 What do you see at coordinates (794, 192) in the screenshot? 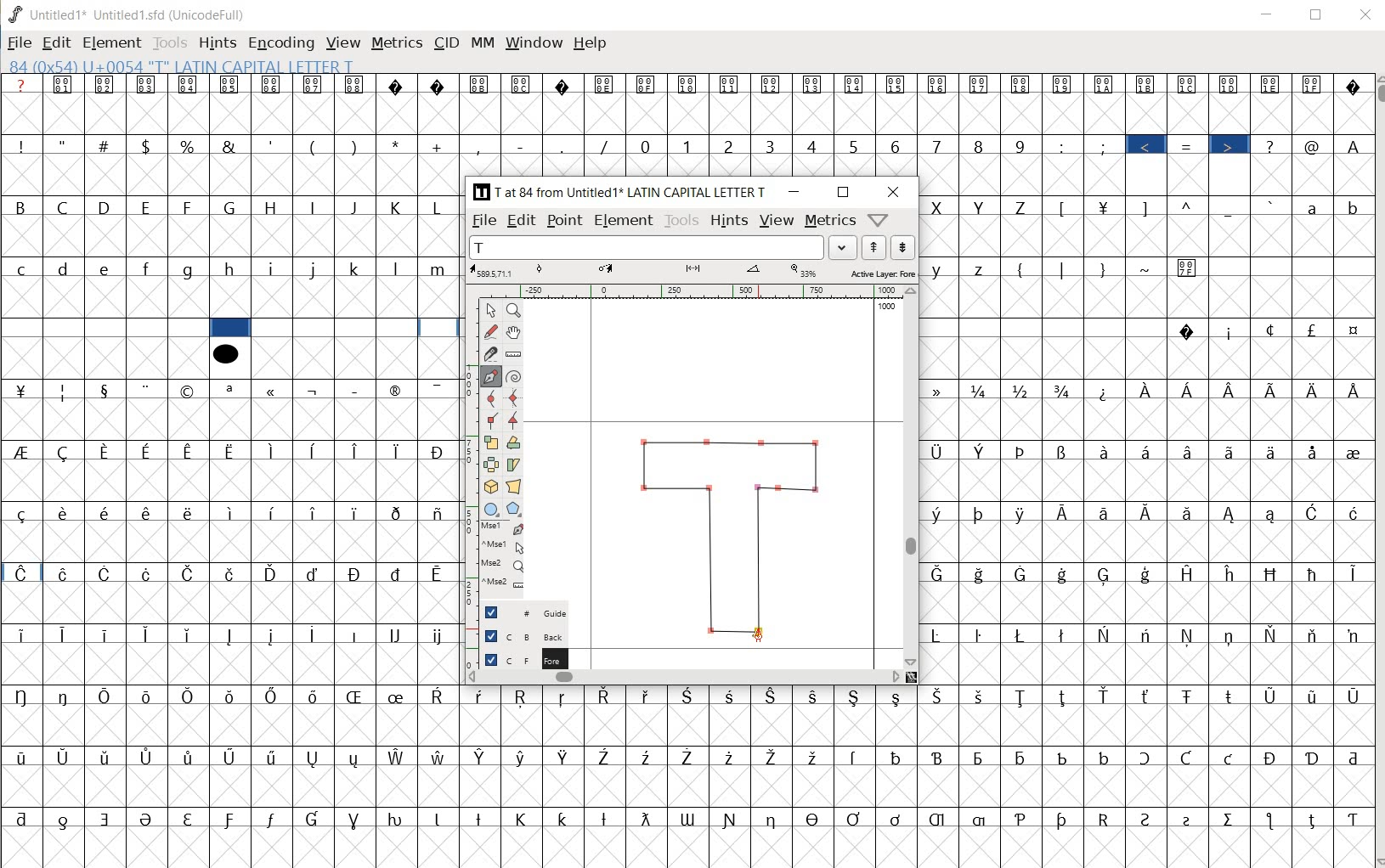
I see `minimize` at bounding box center [794, 192].